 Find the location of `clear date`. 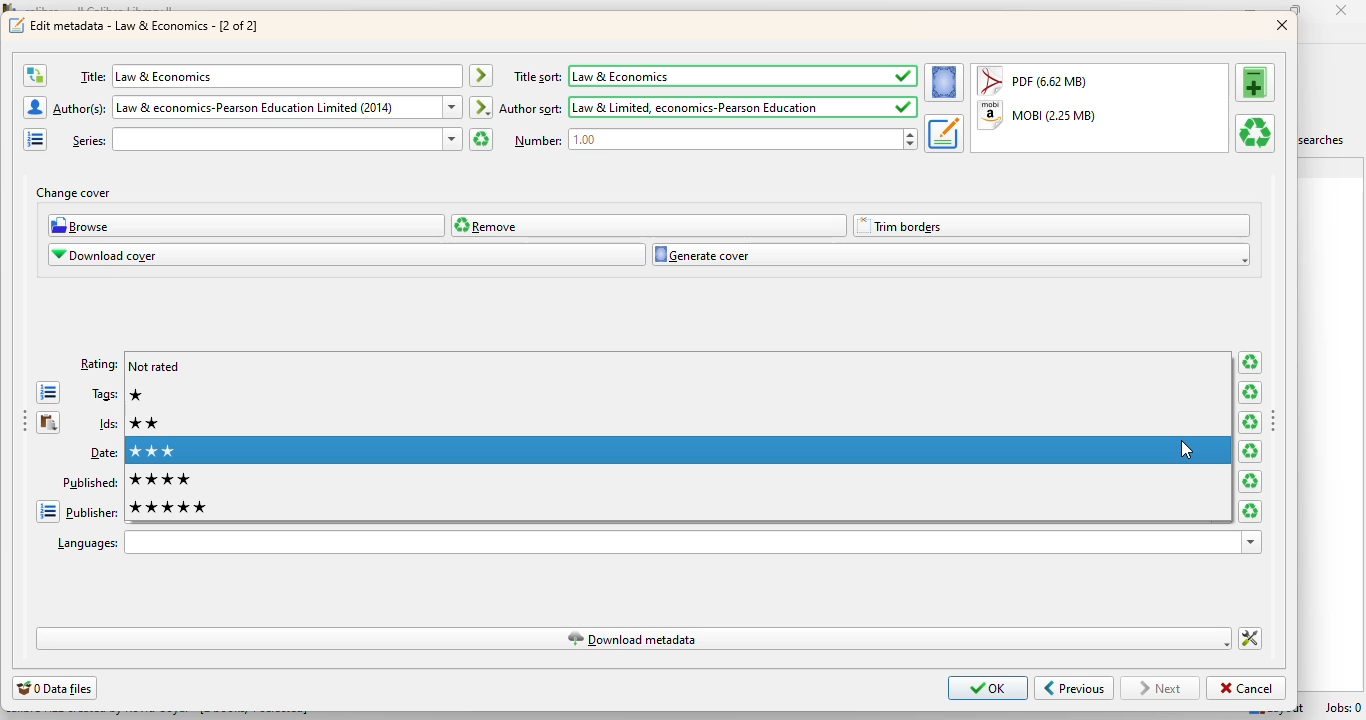

clear date is located at coordinates (1251, 482).